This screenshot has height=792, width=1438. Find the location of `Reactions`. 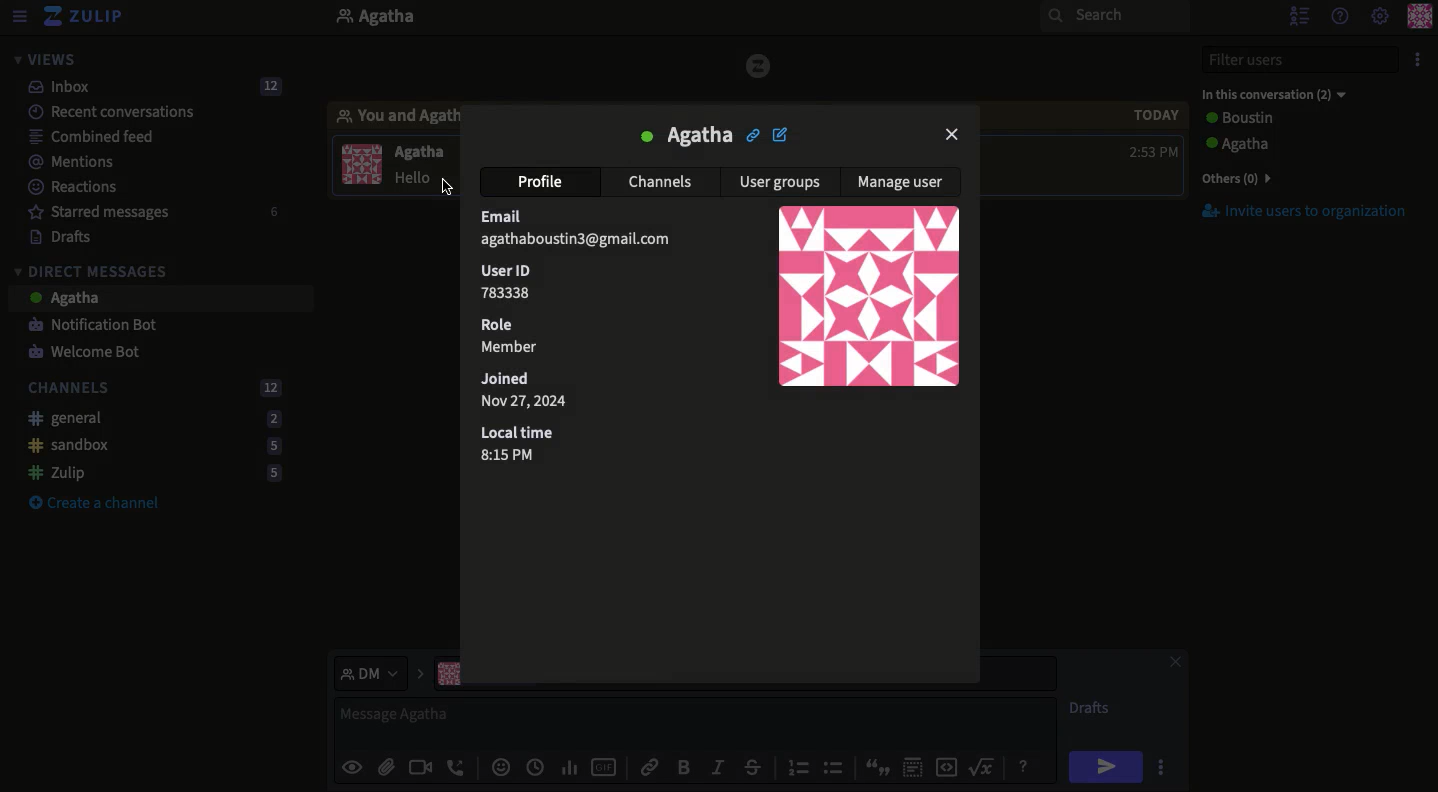

Reactions is located at coordinates (75, 186).